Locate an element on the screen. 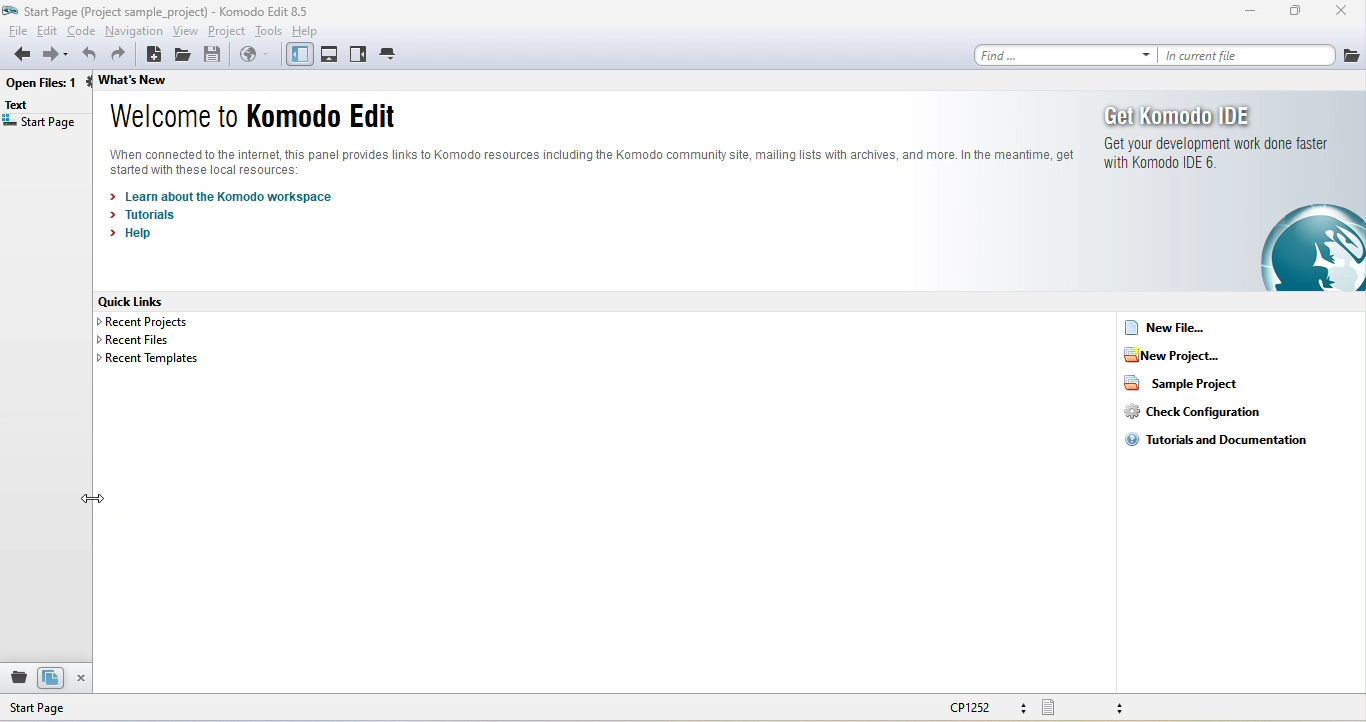 This screenshot has height=722, width=1366. view is located at coordinates (187, 31).